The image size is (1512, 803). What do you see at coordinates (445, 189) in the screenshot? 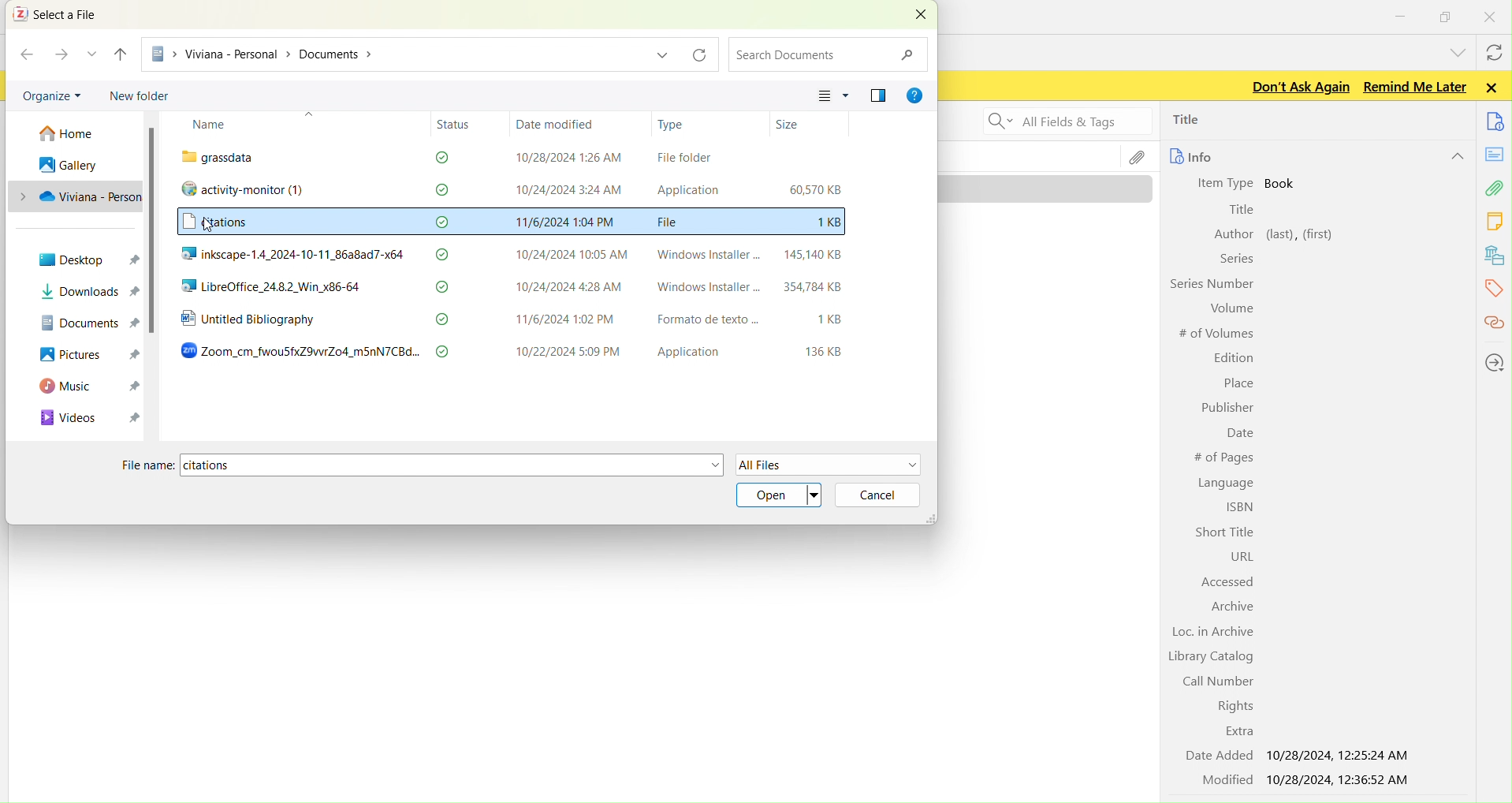
I see `check` at bounding box center [445, 189].